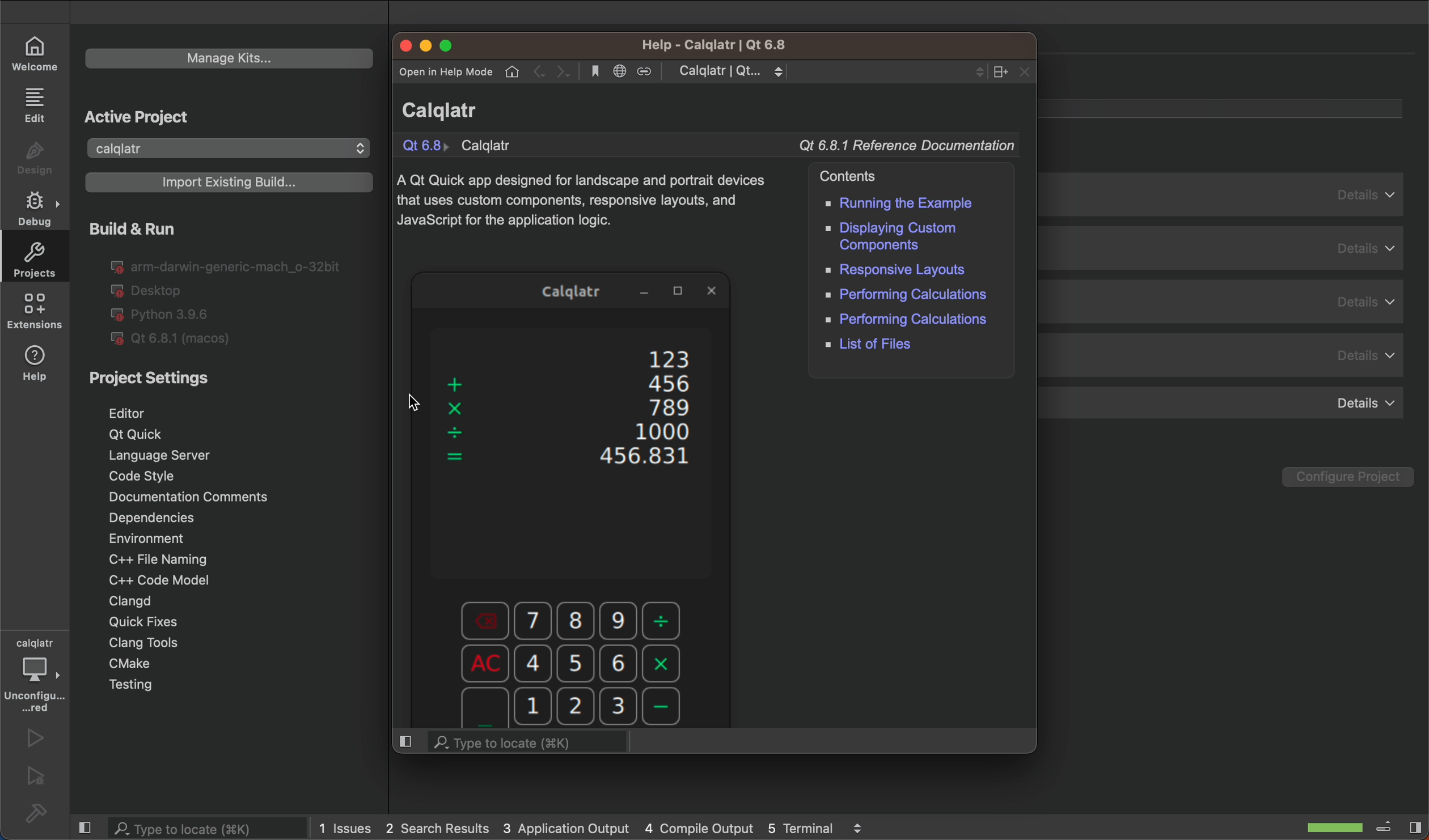  I want to click on quick fixes, so click(139, 622).